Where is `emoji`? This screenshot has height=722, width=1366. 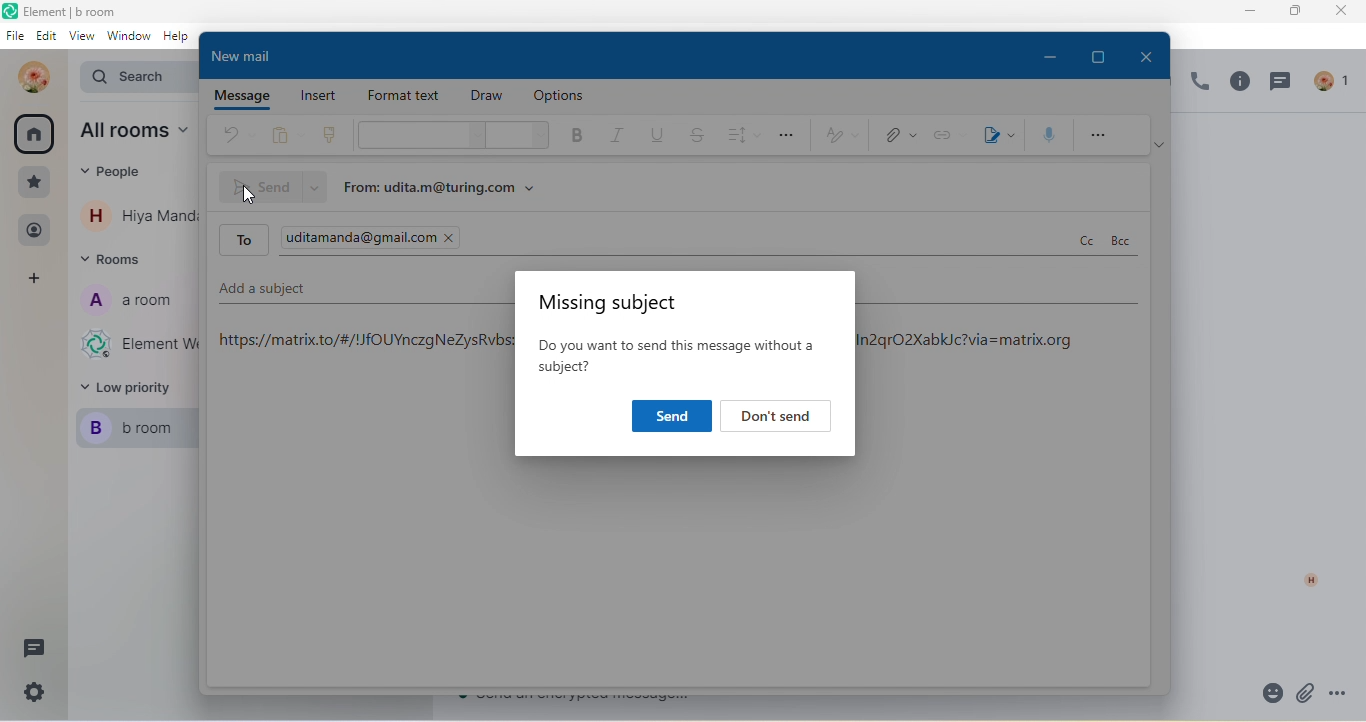 emoji is located at coordinates (1264, 694).